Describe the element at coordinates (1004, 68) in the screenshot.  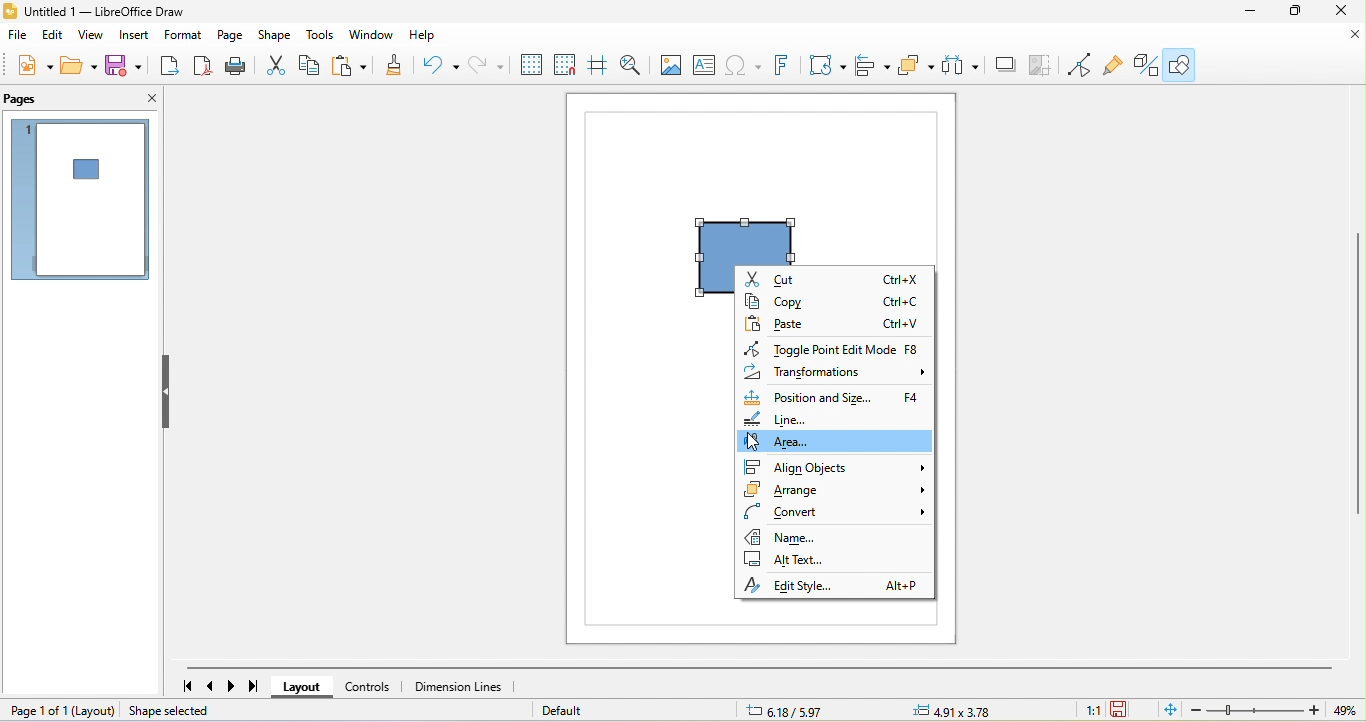
I see `shadow` at that location.